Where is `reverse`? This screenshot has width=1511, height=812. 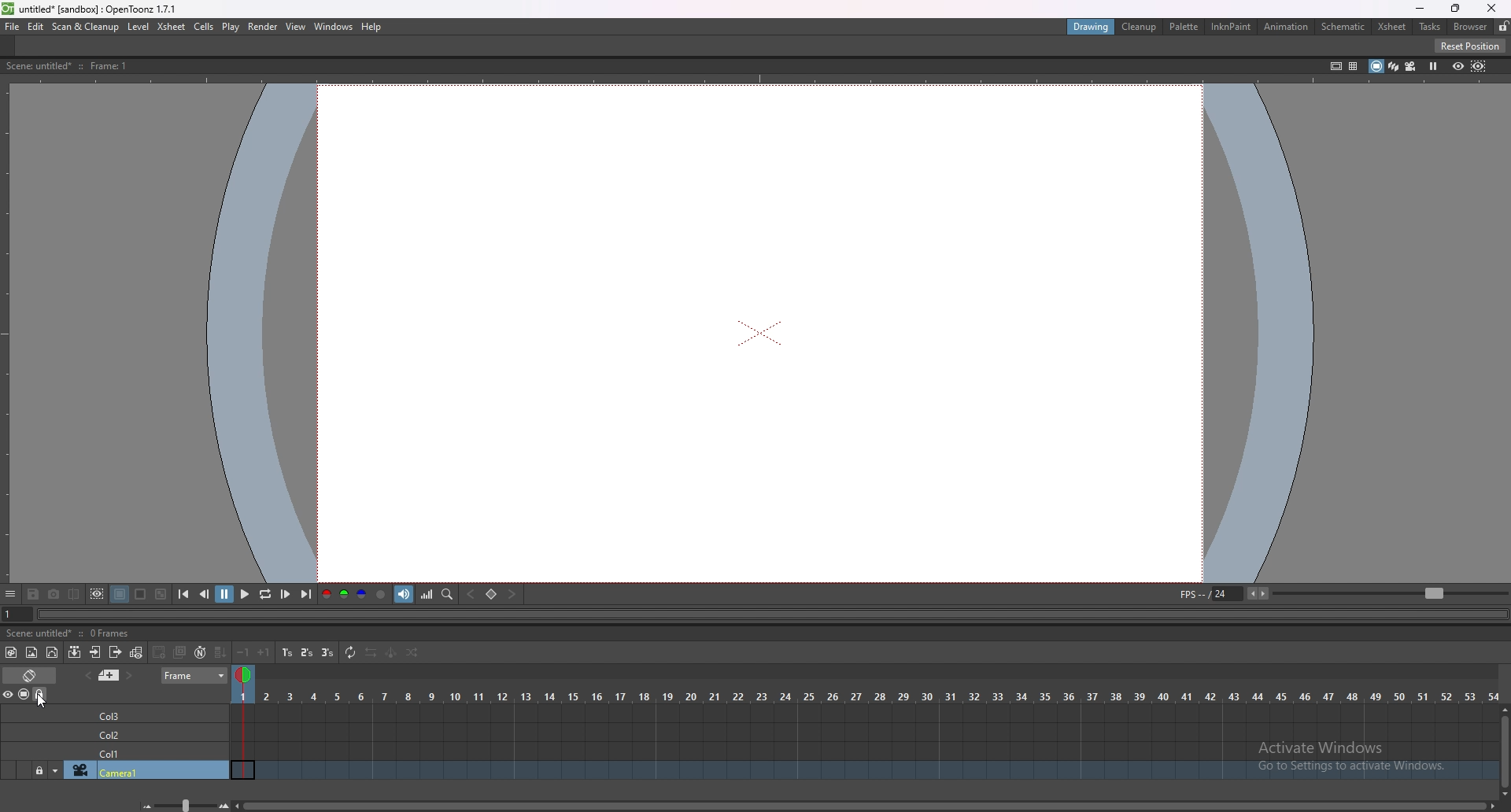 reverse is located at coordinates (371, 653).